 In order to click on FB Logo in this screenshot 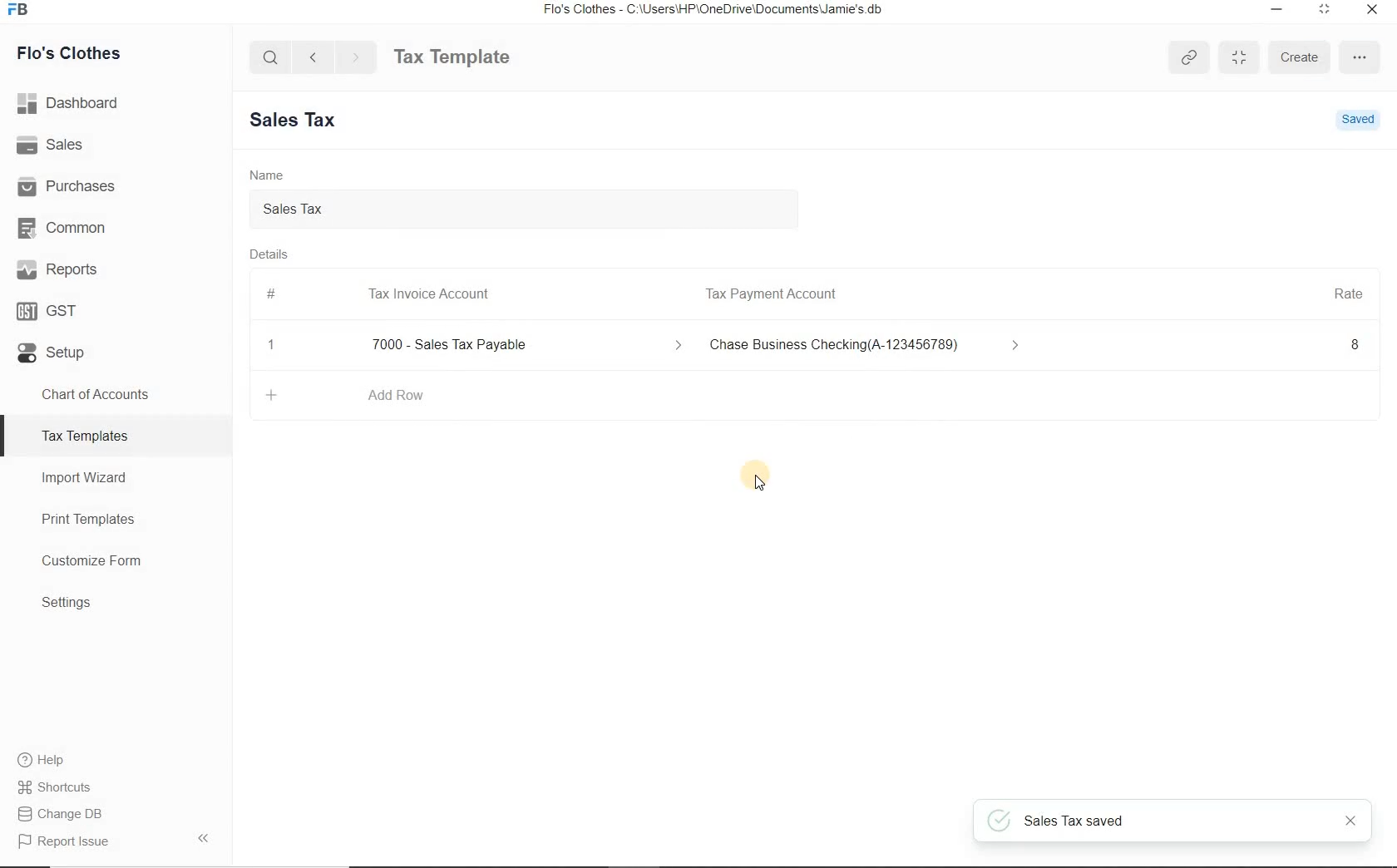, I will do `click(17, 10)`.